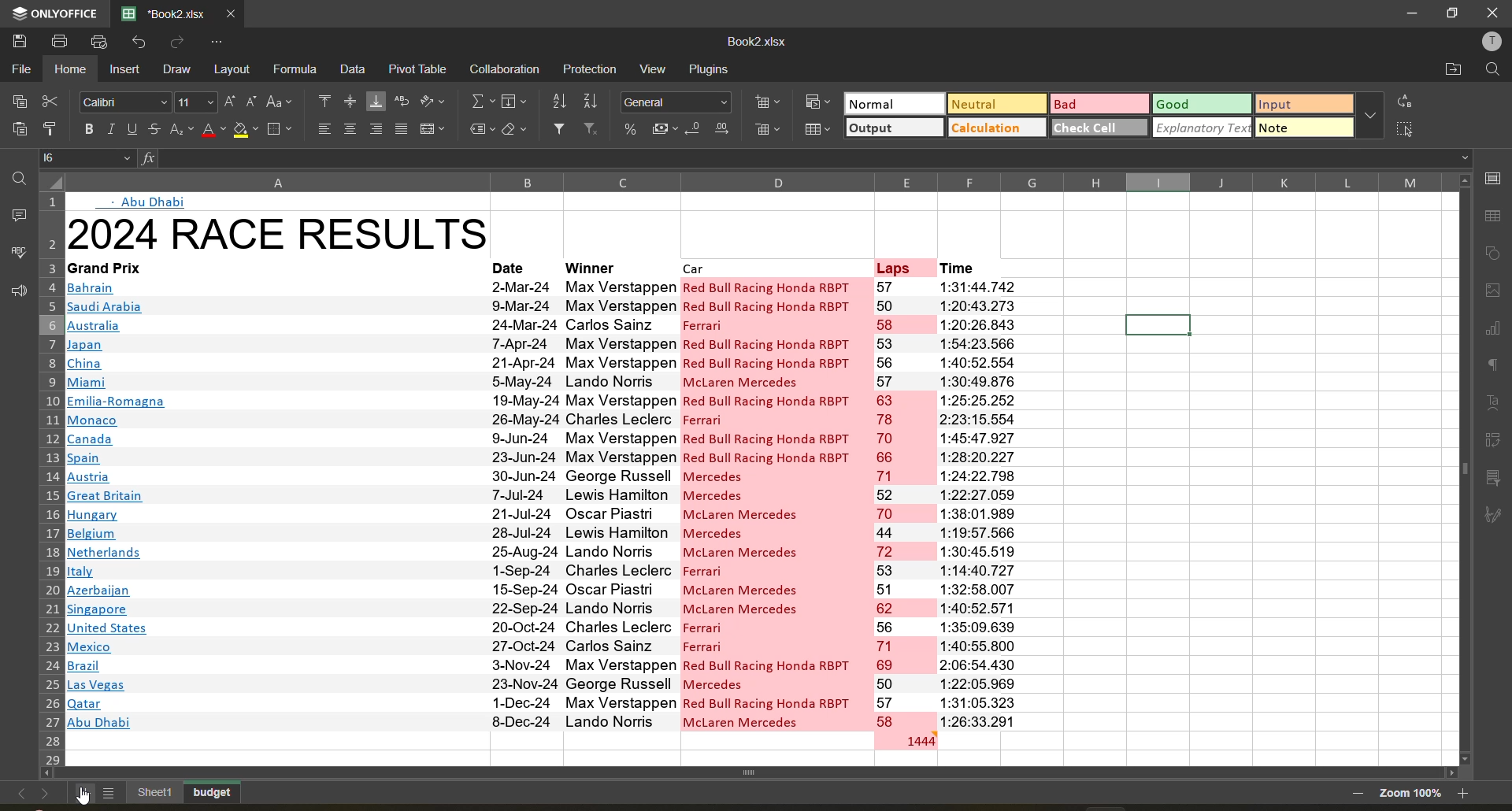 This screenshot has width=1512, height=811. I want to click on scroll right, so click(1449, 773).